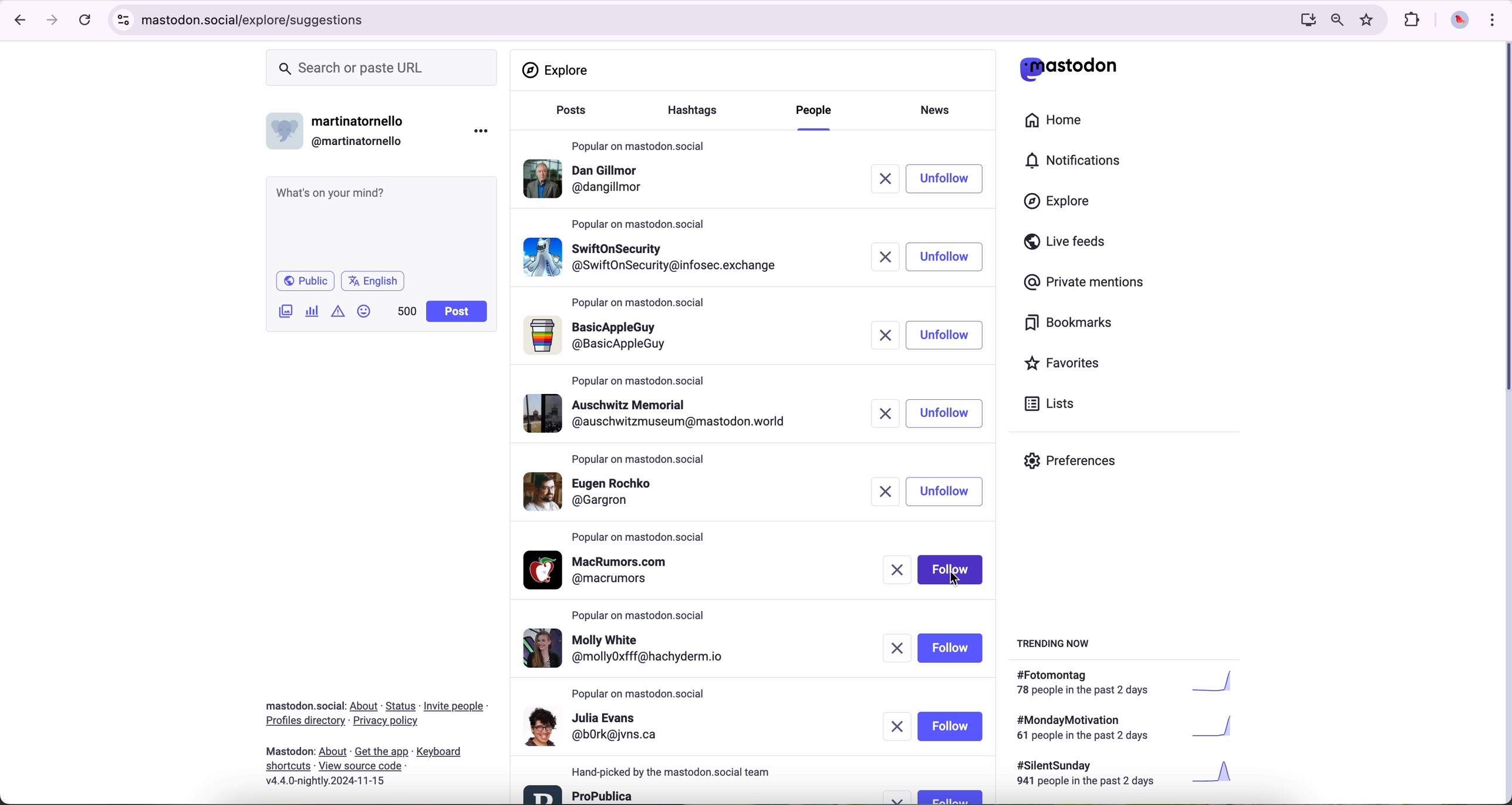 Image resolution: width=1512 pixels, height=805 pixels. I want to click on notifications, so click(1078, 161).